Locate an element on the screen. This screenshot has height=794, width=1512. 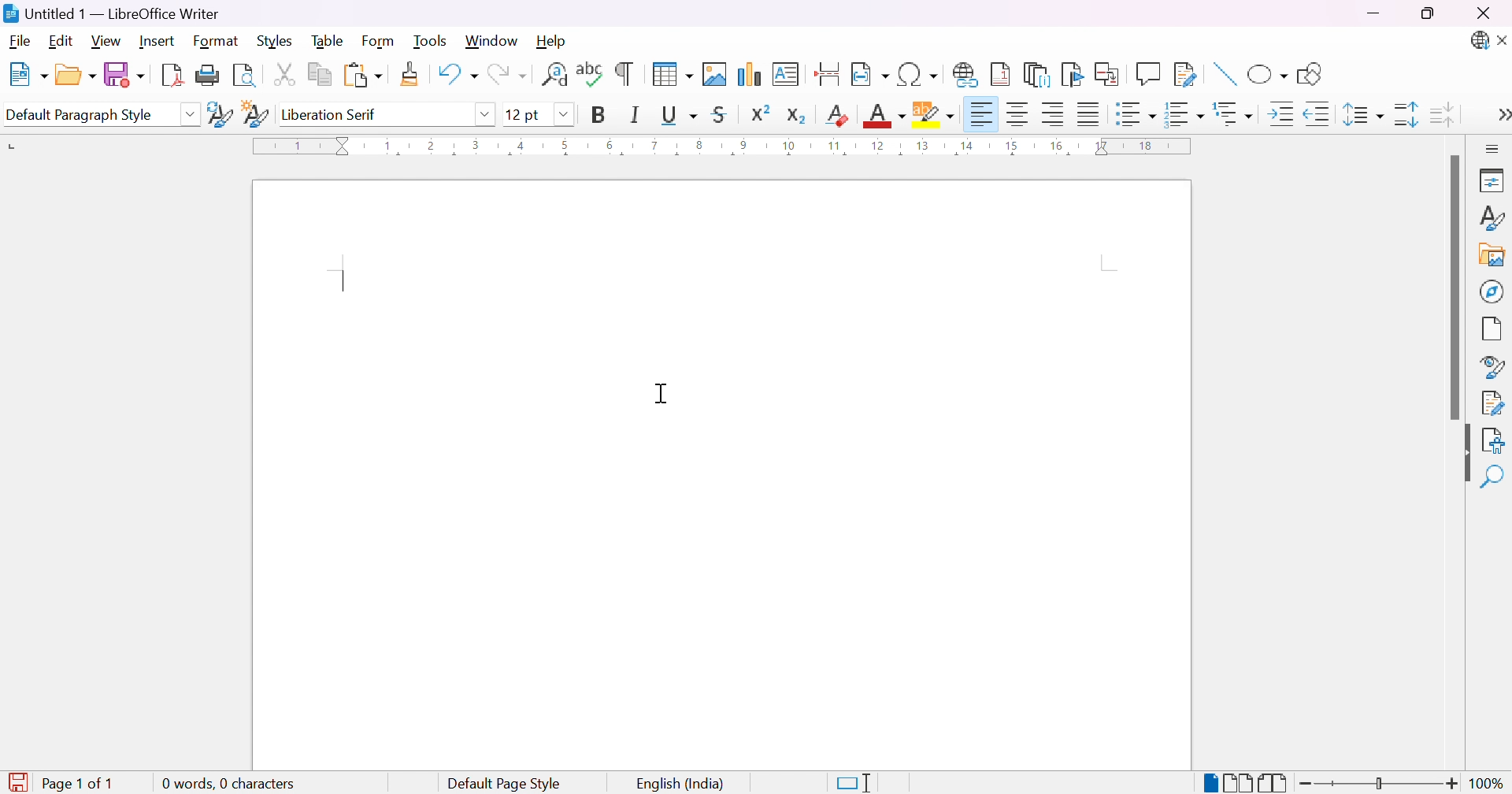
Insert bookmark is located at coordinates (1073, 74).